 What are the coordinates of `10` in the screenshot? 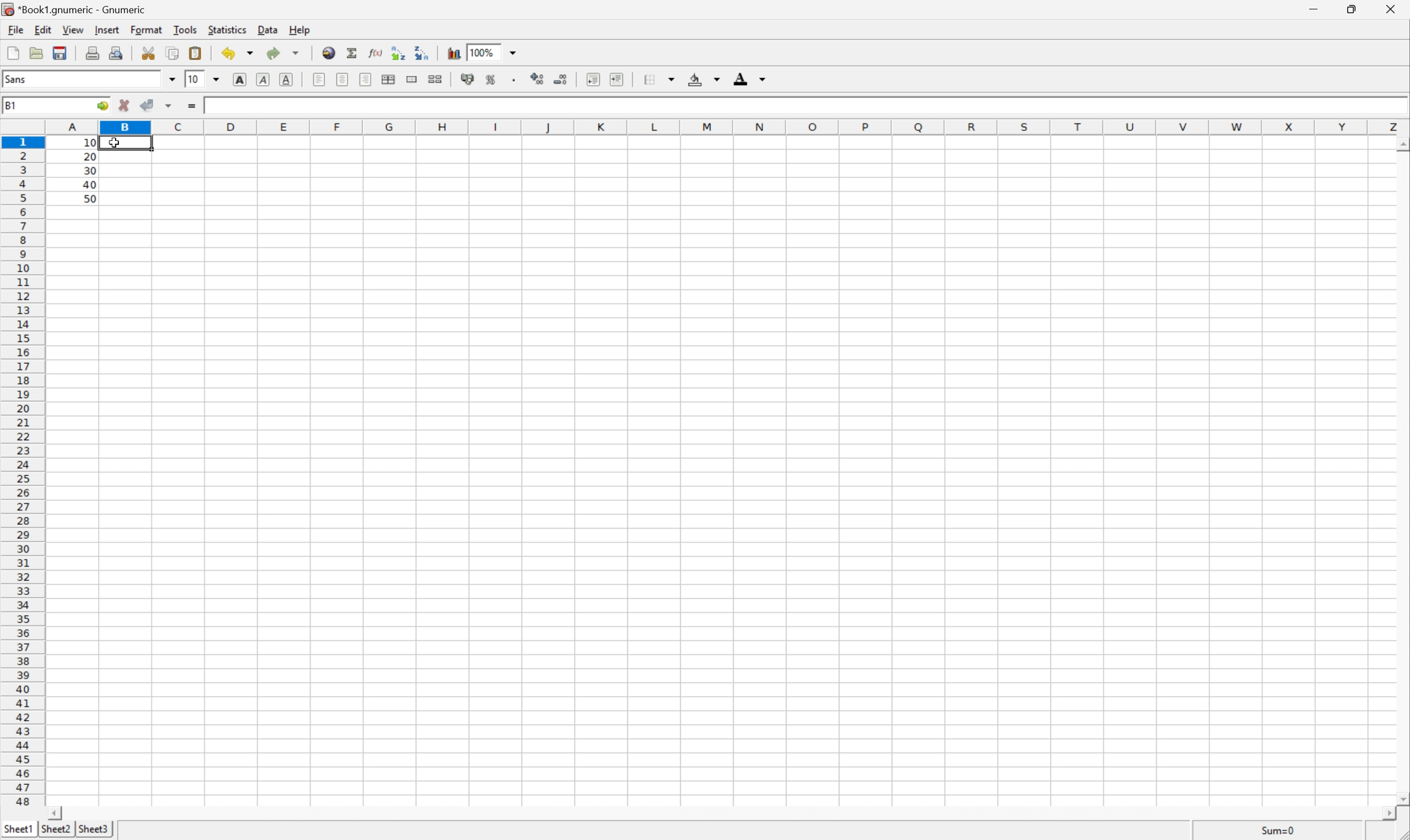 It's located at (194, 79).